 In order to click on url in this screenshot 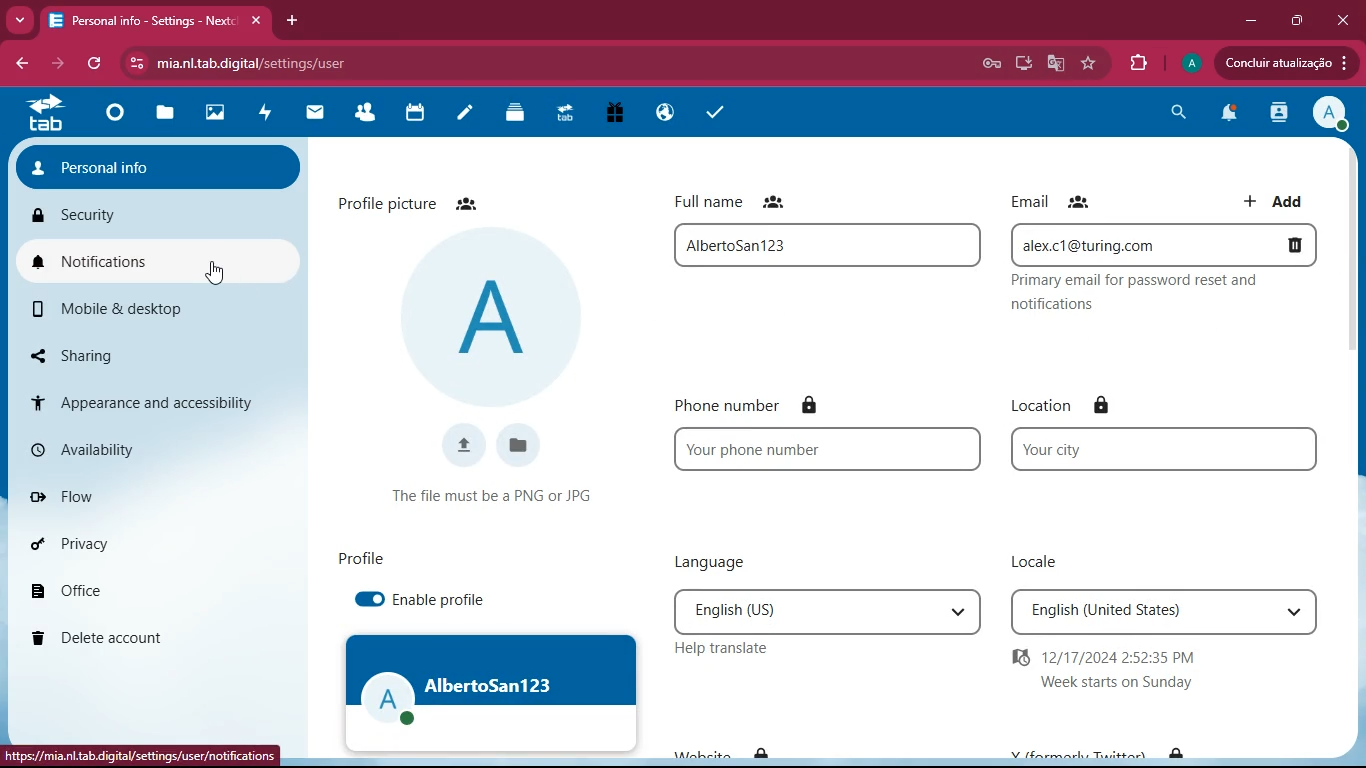, I will do `click(143, 756)`.